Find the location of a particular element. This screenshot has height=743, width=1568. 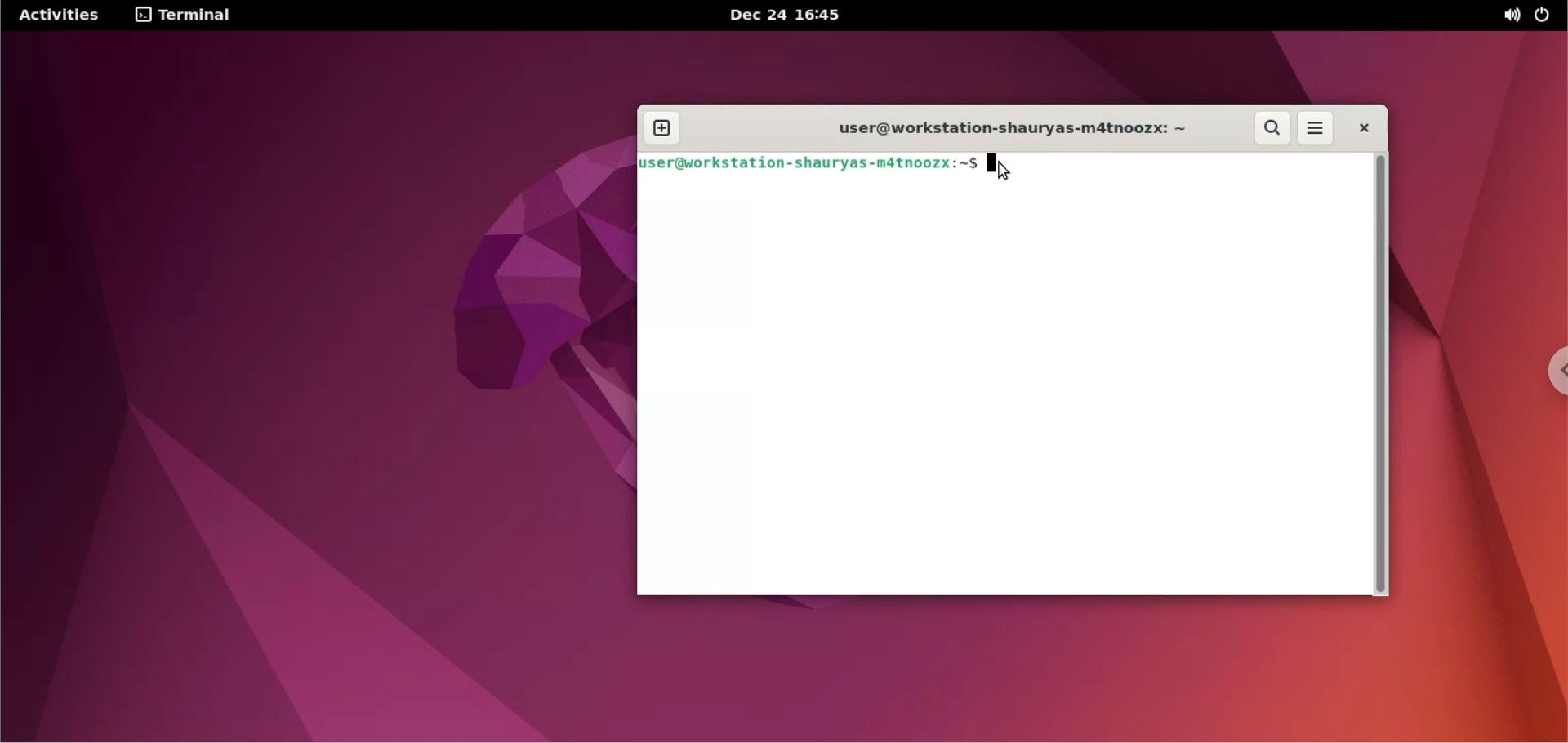

terminal options is located at coordinates (182, 17).